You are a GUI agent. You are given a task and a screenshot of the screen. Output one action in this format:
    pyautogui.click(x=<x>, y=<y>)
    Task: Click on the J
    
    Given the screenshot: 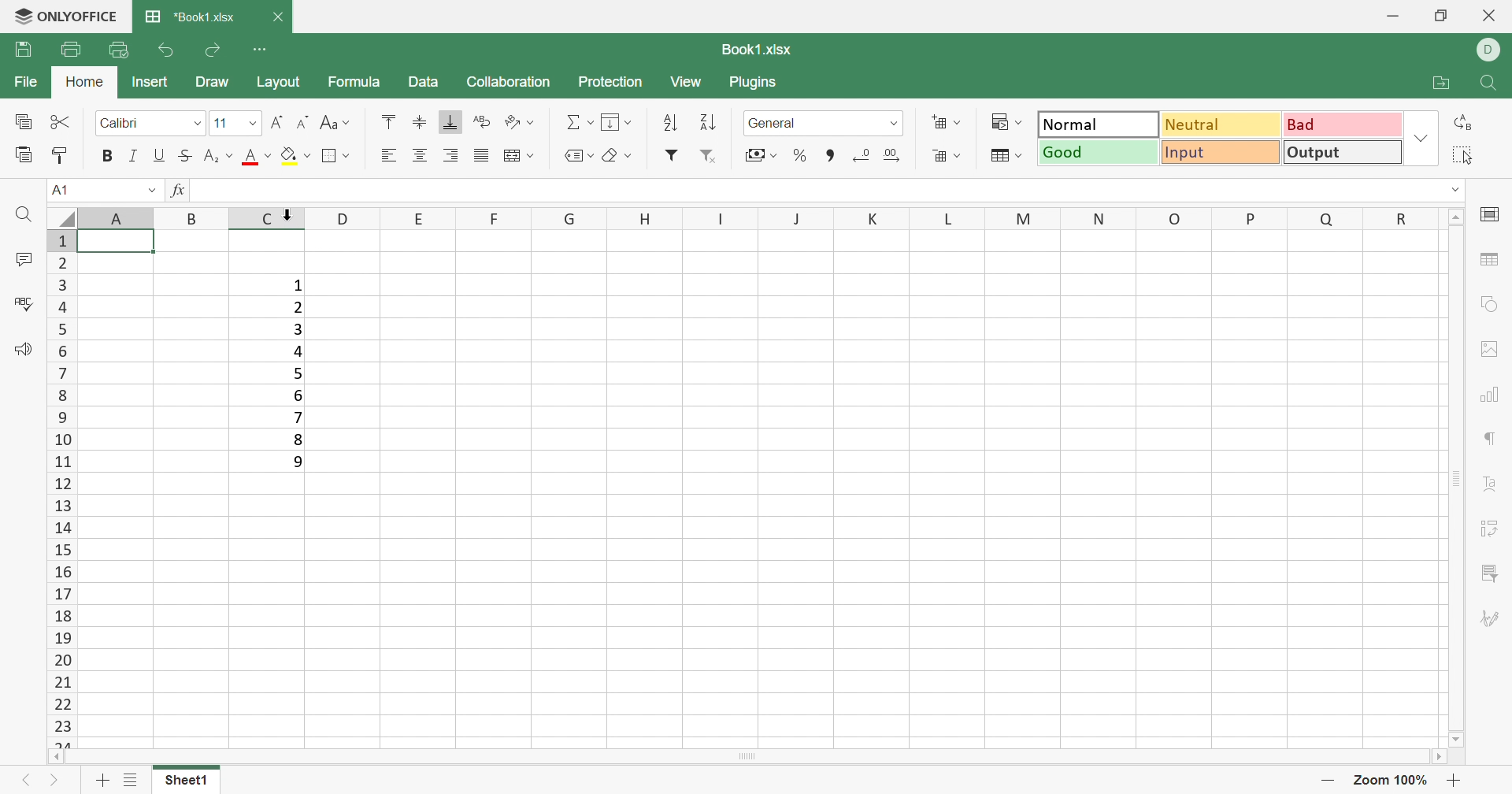 What is the action you would take?
    pyautogui.click(x=797, y=219)
    